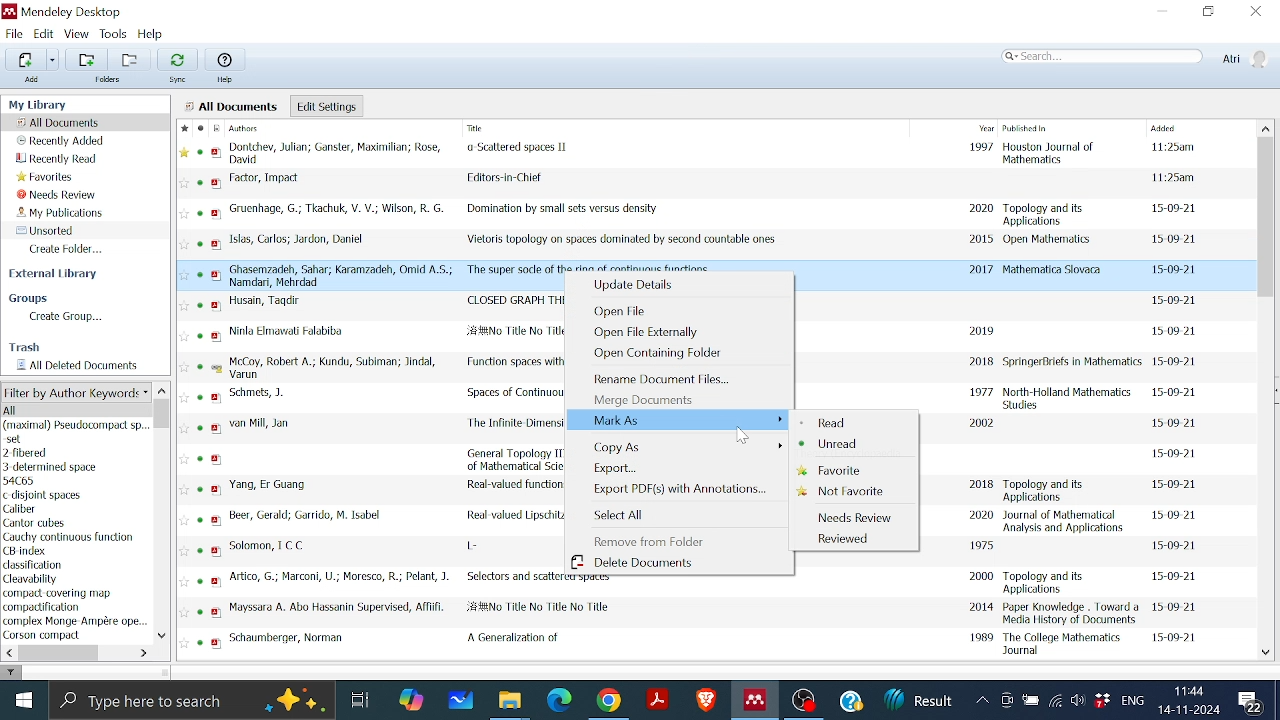 The image size is (1280, 720). What do you see at coordinates (658, 467) in the screenshot?
I see `Export` at bounding box center [658, 467].